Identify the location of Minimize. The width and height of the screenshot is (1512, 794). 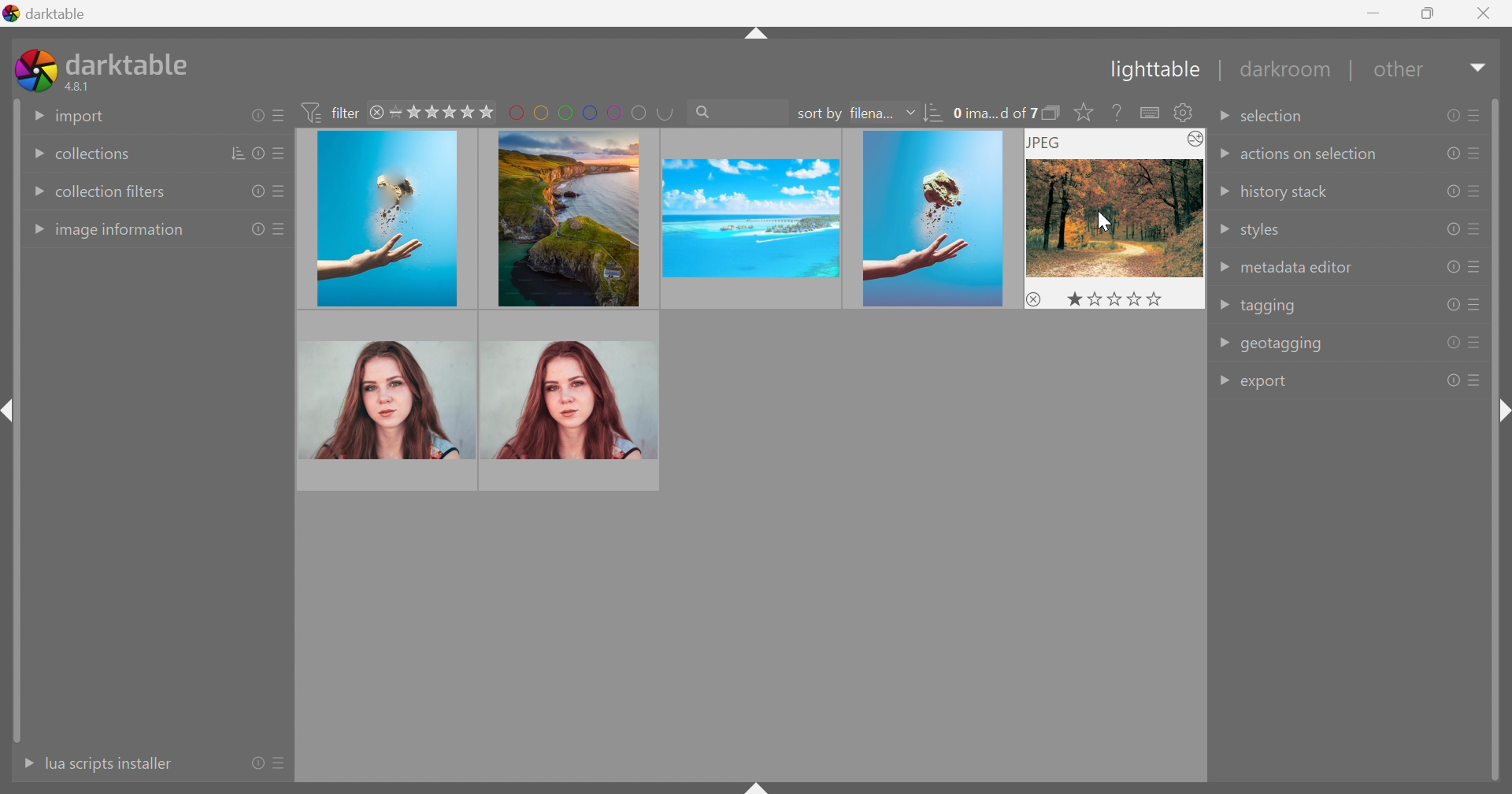
(1377, 12).